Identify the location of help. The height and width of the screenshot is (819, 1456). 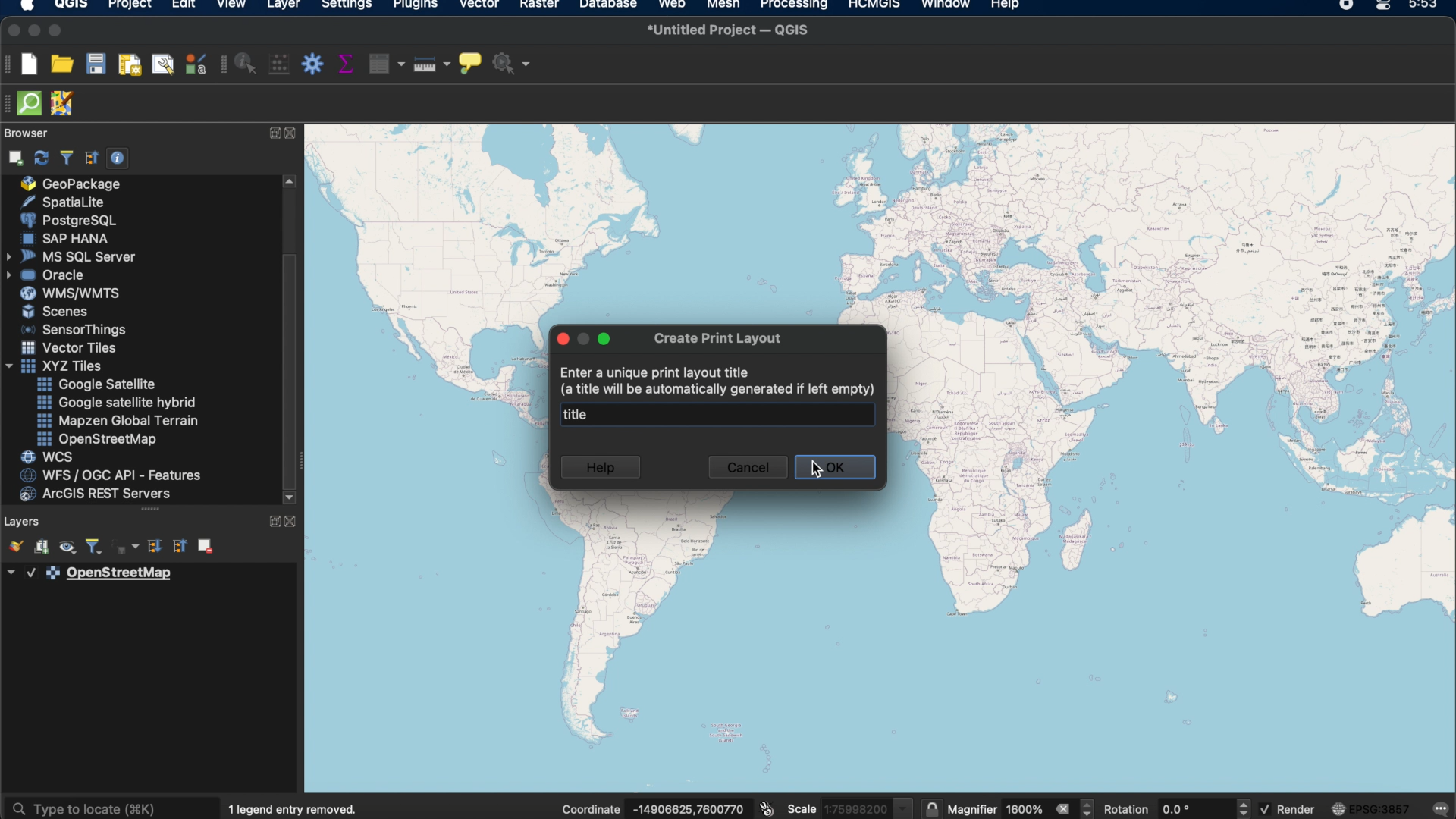
(602, 466).